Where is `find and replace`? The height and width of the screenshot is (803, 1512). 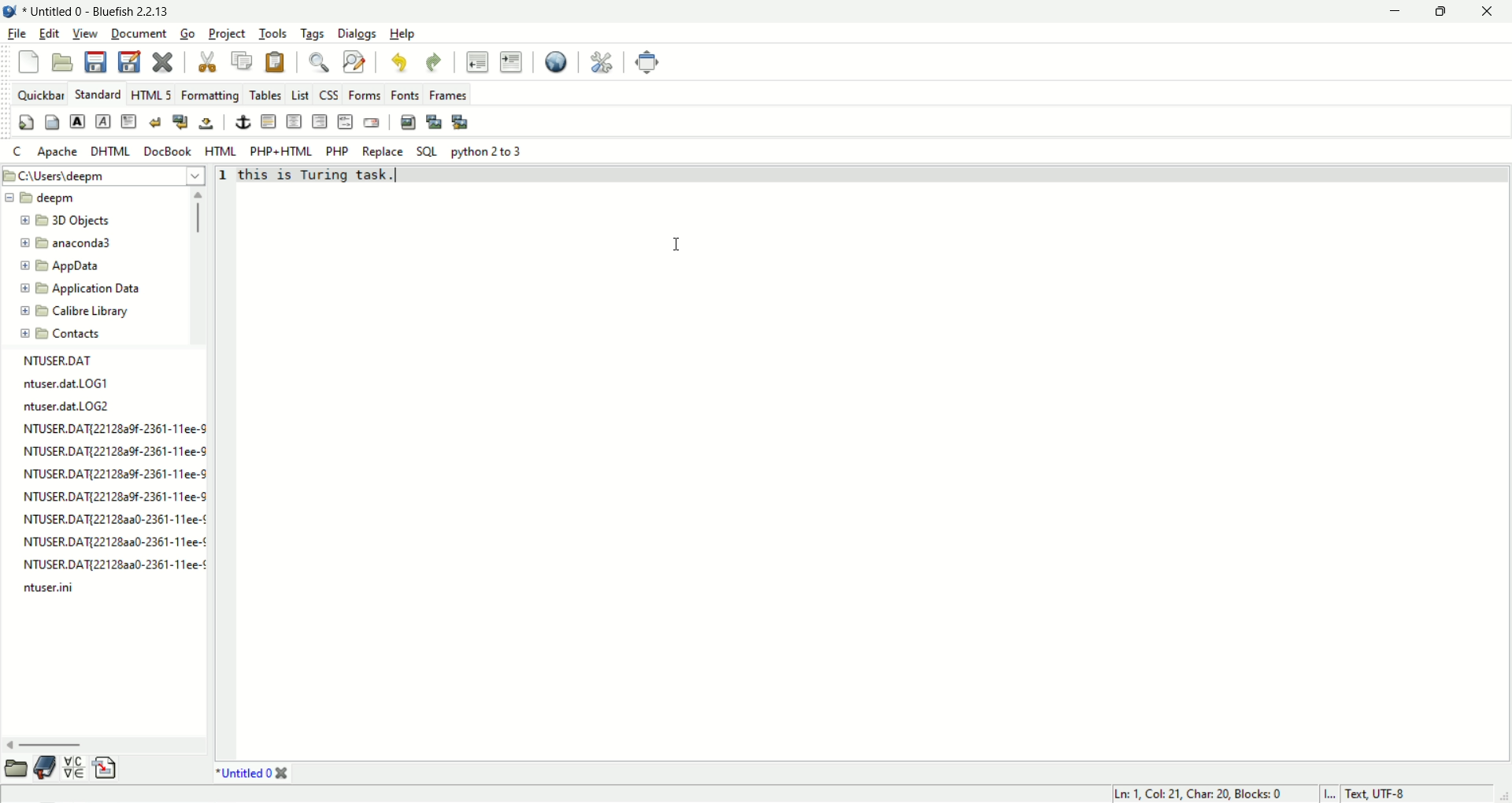
find and replace is located at coordinates (354, 62).